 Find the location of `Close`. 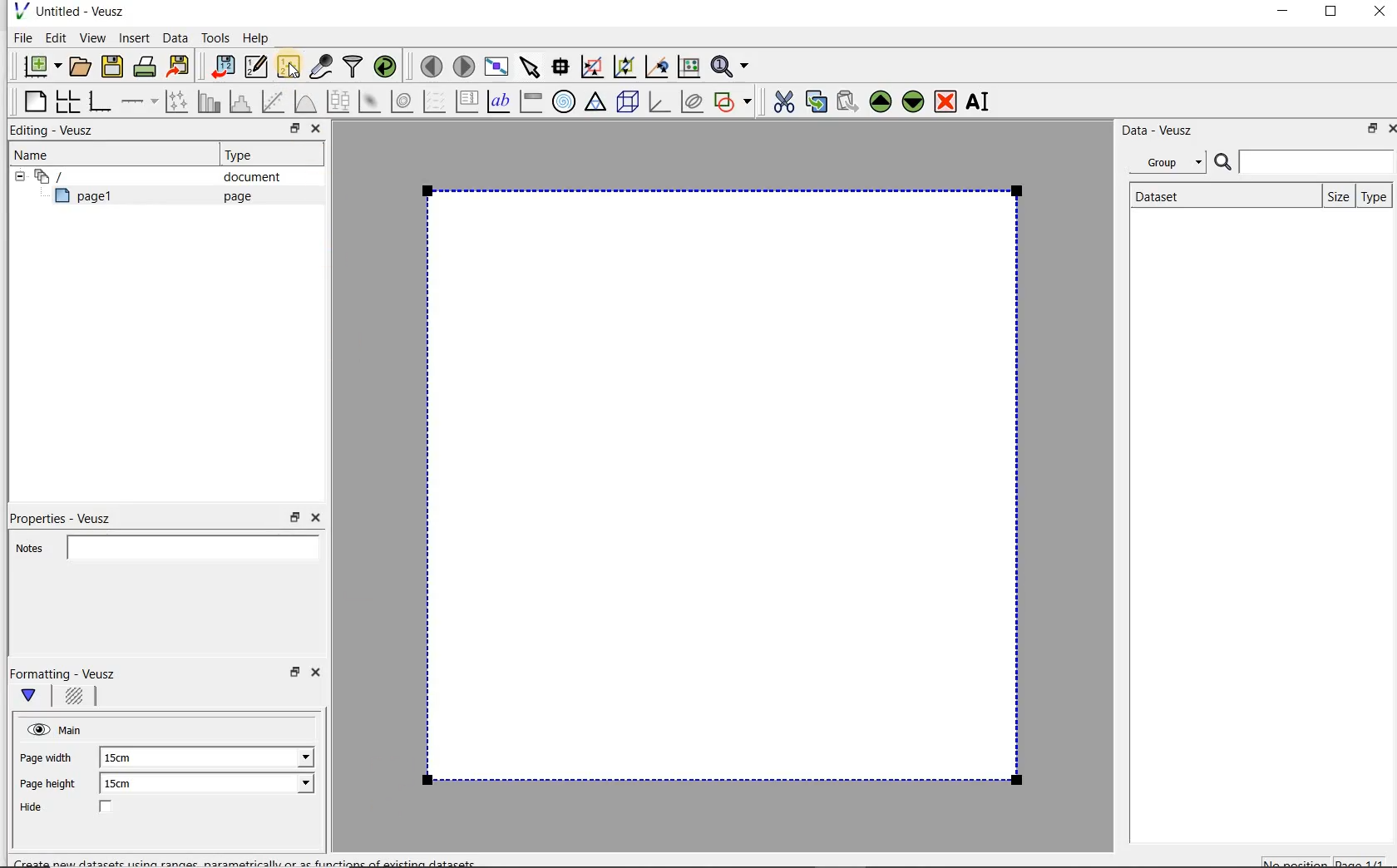

Close is located at coordinates (1378, 14).